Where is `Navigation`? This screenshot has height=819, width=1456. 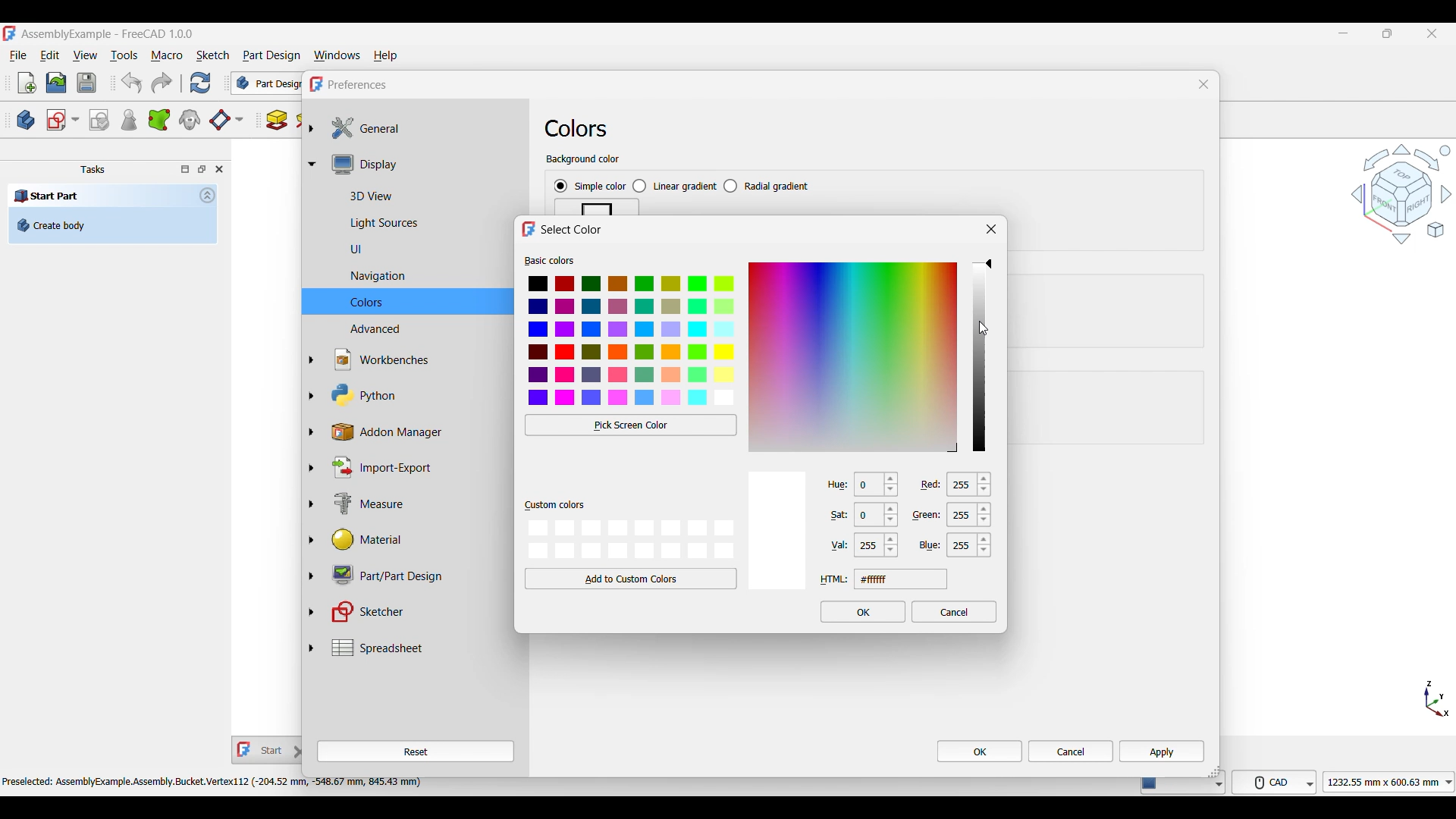 Navigation is located at coordinates (419, 277).